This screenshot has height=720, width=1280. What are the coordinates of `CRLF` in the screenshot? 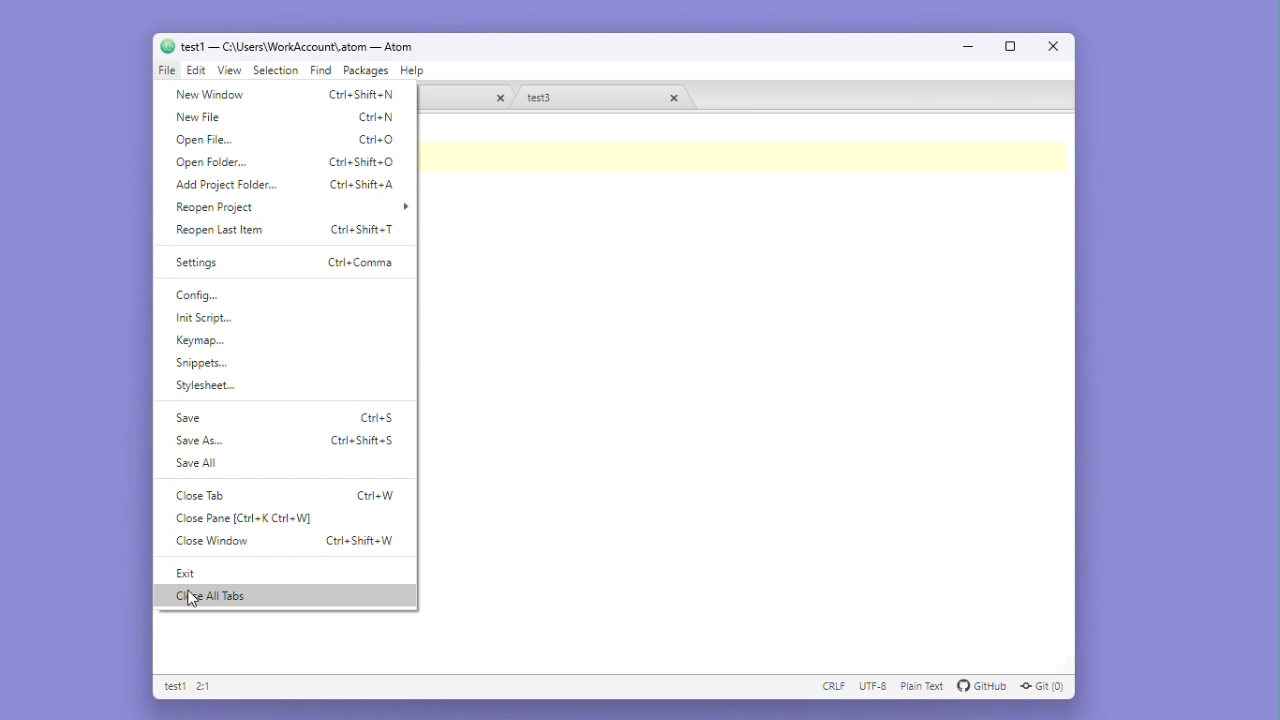 It's located at (834, 685).